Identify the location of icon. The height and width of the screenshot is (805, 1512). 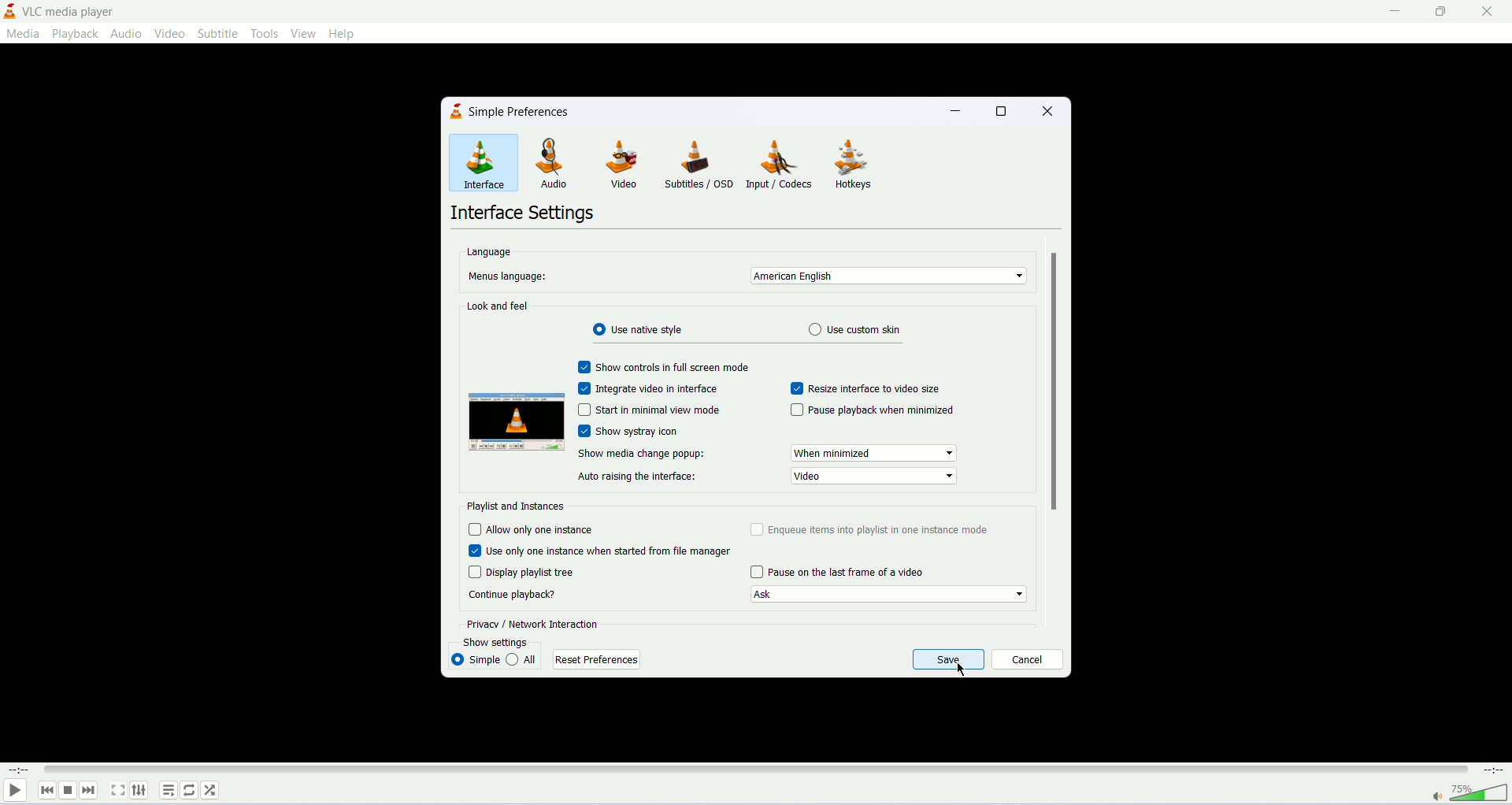
(458, 112).